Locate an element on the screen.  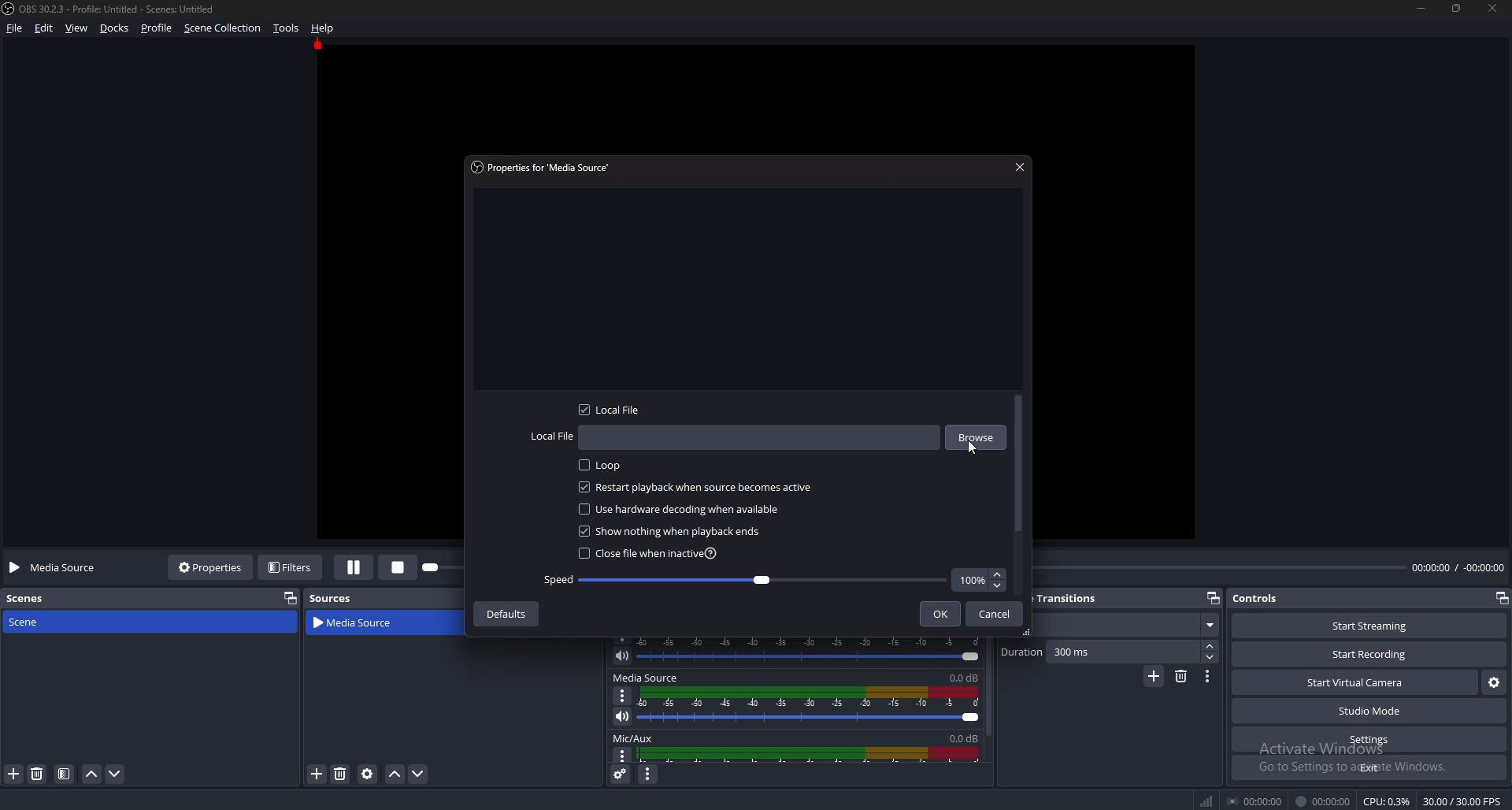
Move scene up is located at coordinates (91, 776).